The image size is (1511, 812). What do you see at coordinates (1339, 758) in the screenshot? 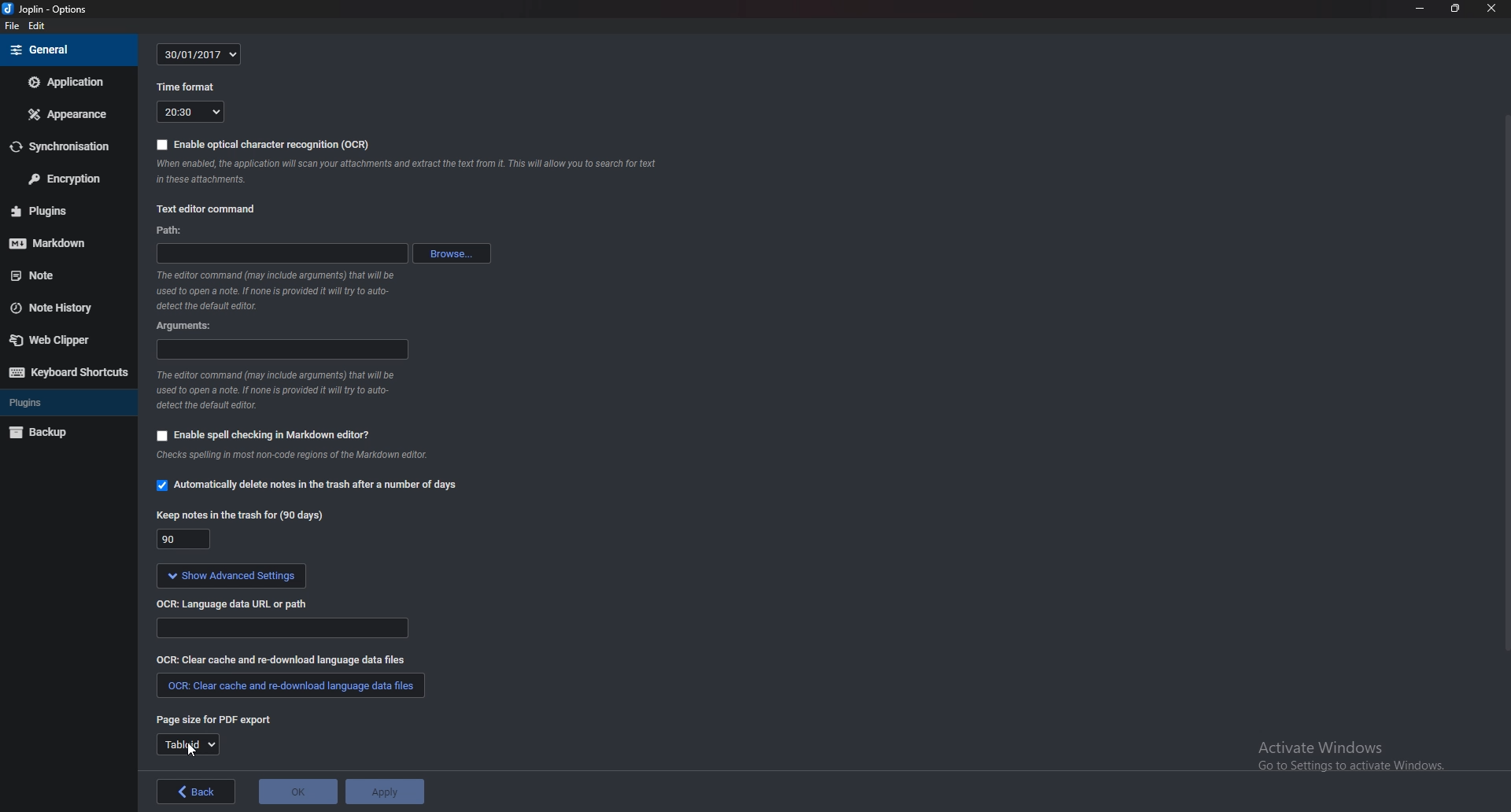
I see `activate windows` at bounding box center [1339, 758].